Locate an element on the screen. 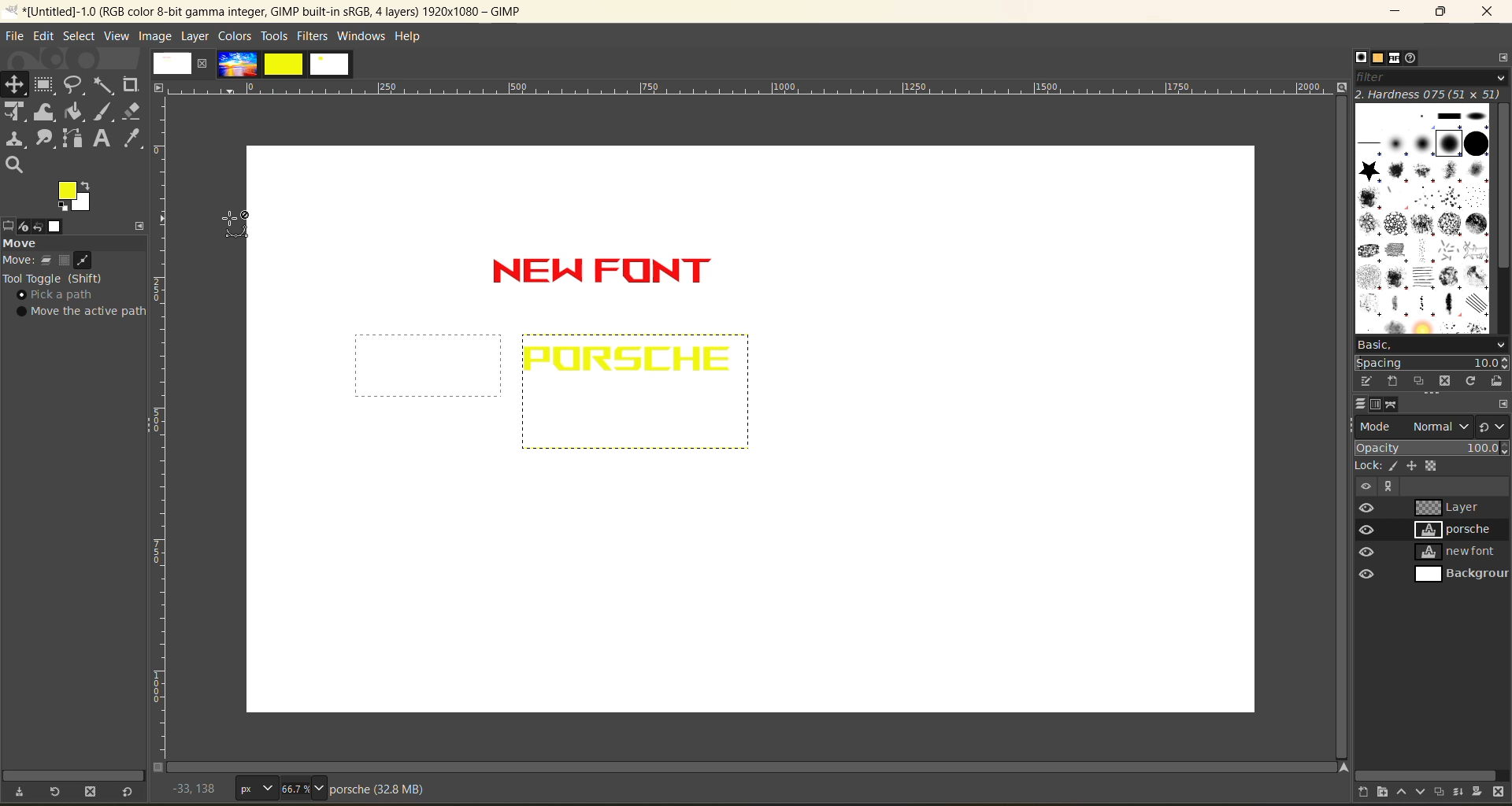 This screenshot has width=1512, height=806. maximize is located at coordinates (1437, 13).